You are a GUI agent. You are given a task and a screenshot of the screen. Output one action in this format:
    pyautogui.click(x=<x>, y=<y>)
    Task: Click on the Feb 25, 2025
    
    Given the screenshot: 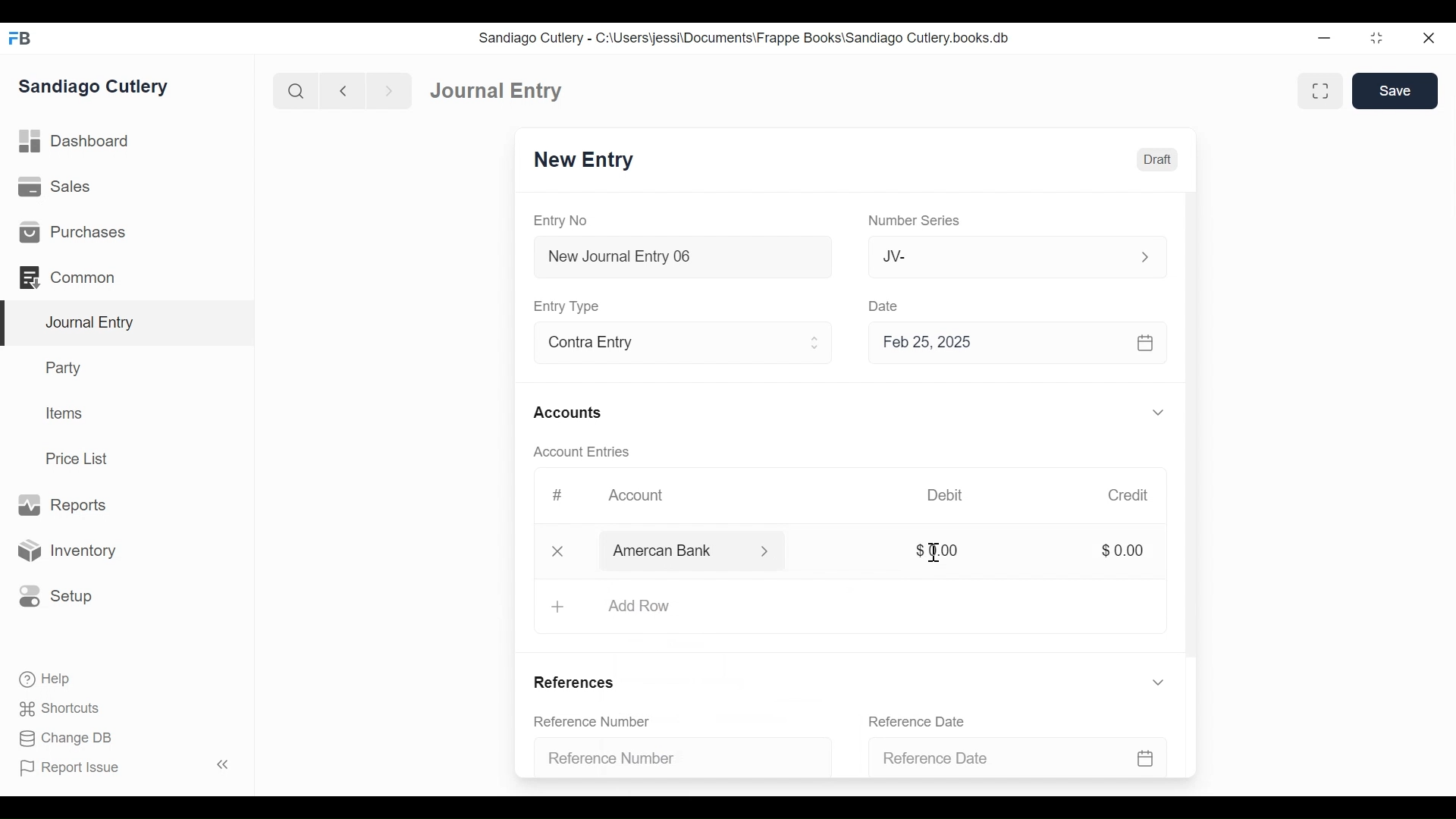 What is the action you would take?
    pyautogui.click(x=1011, y=342)
    